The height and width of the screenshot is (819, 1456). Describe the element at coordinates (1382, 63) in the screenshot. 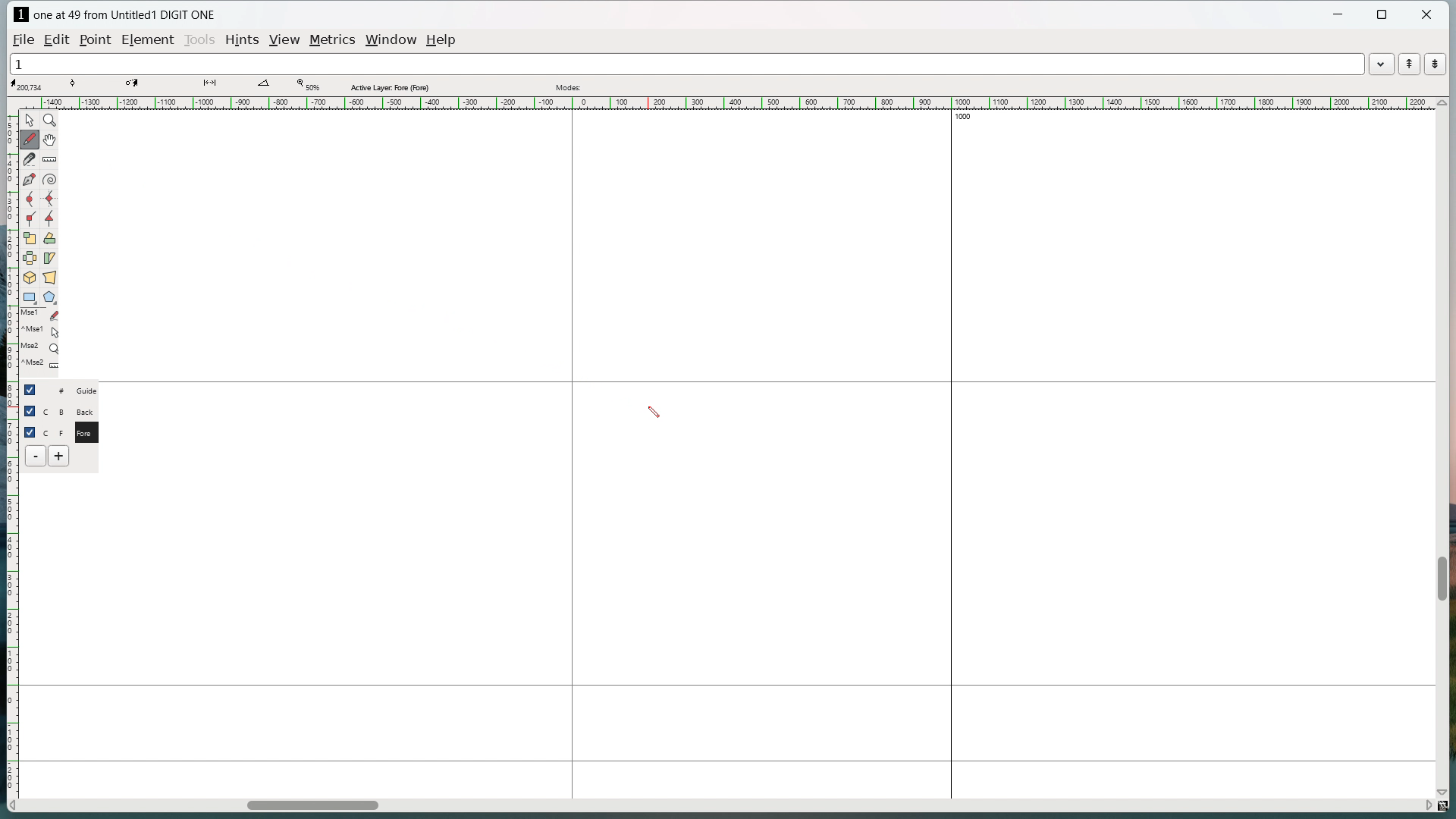

I see `word list` at that location.